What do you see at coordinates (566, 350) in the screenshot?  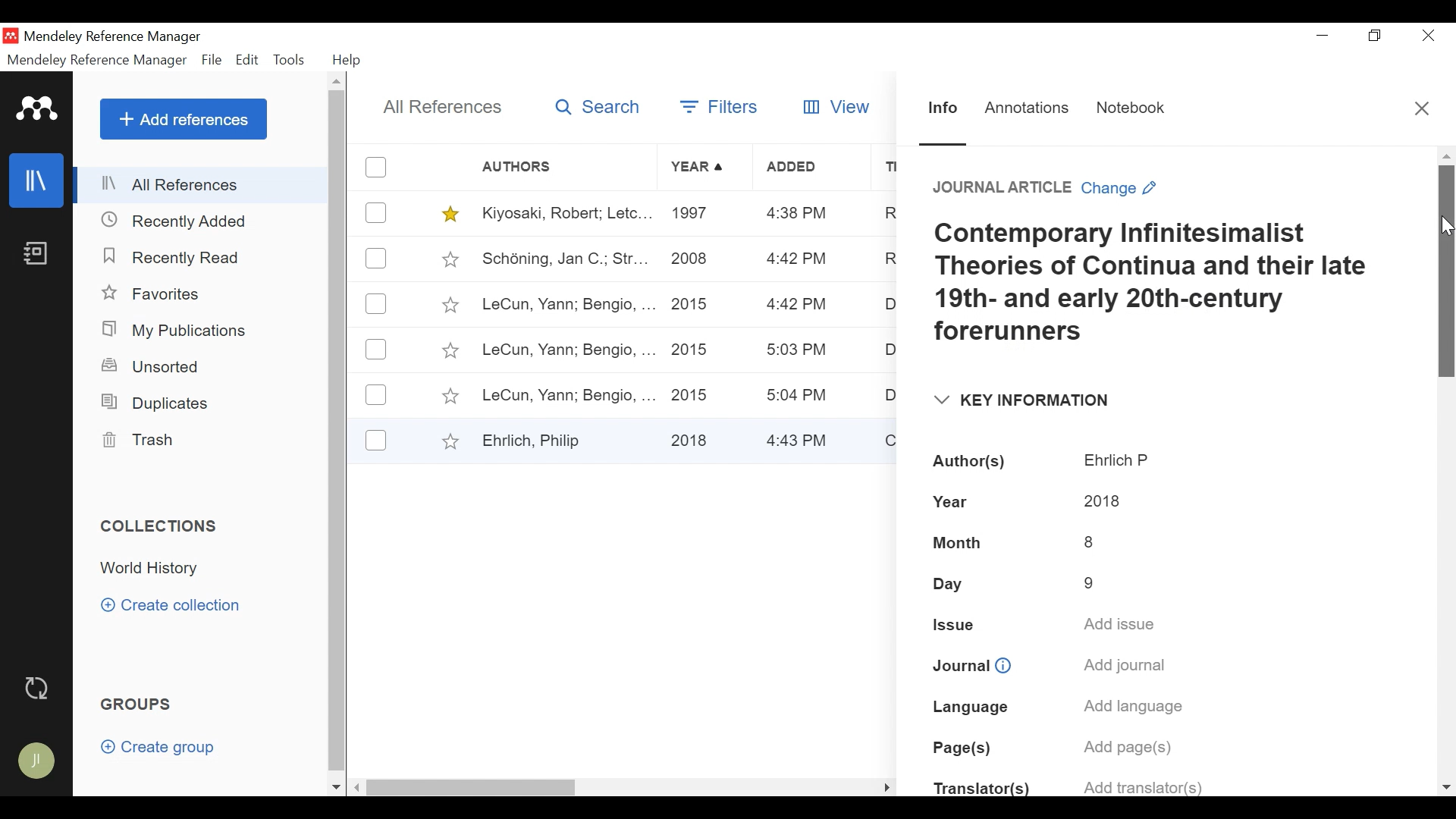 I see `LeCun, Yann; Bengio, ...` at bounding box center [566, 350].